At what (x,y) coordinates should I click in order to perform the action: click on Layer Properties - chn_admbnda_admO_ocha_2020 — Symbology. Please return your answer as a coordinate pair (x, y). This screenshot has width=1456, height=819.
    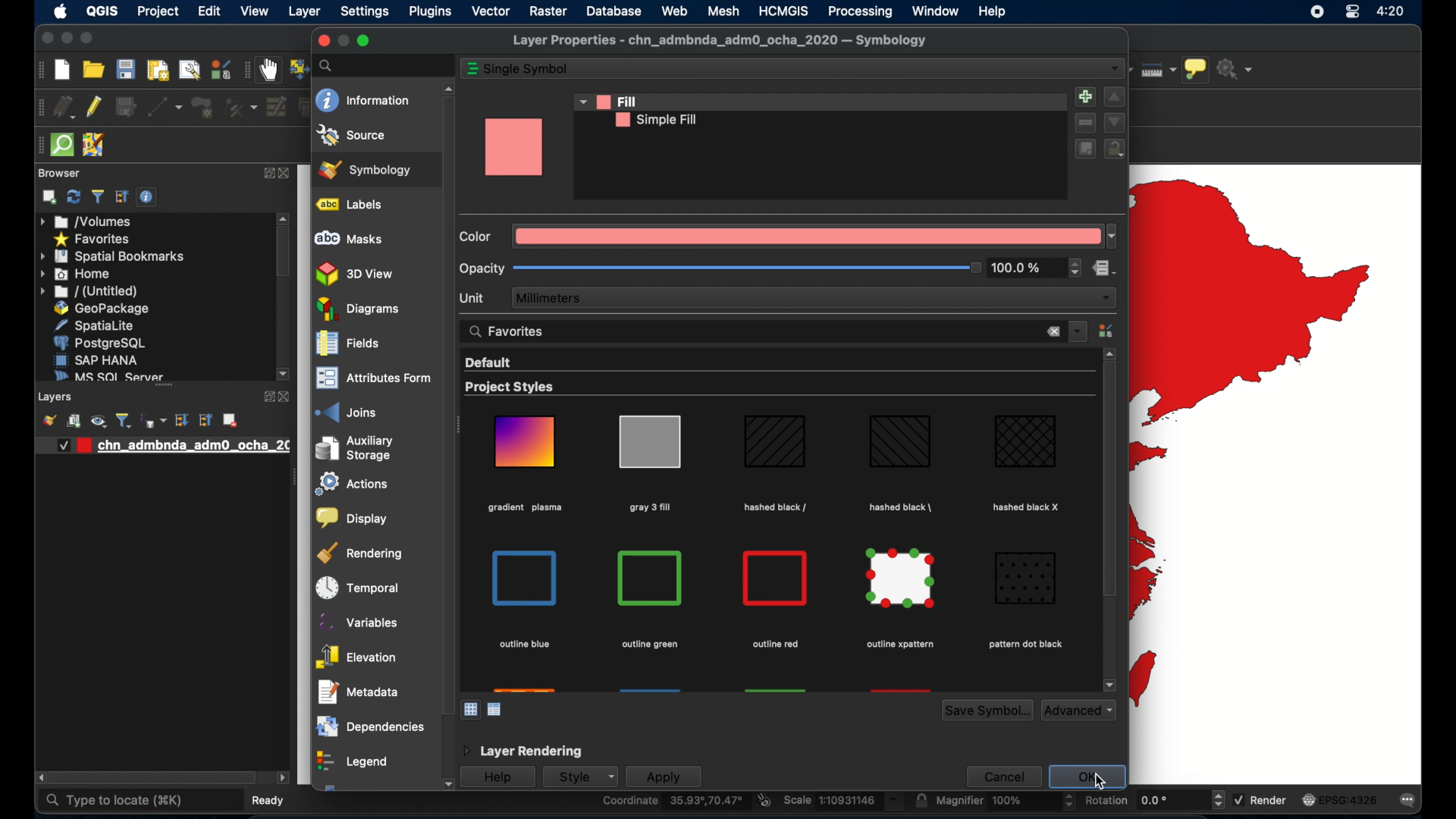
    Looking at the image, I should click on (722, 41).